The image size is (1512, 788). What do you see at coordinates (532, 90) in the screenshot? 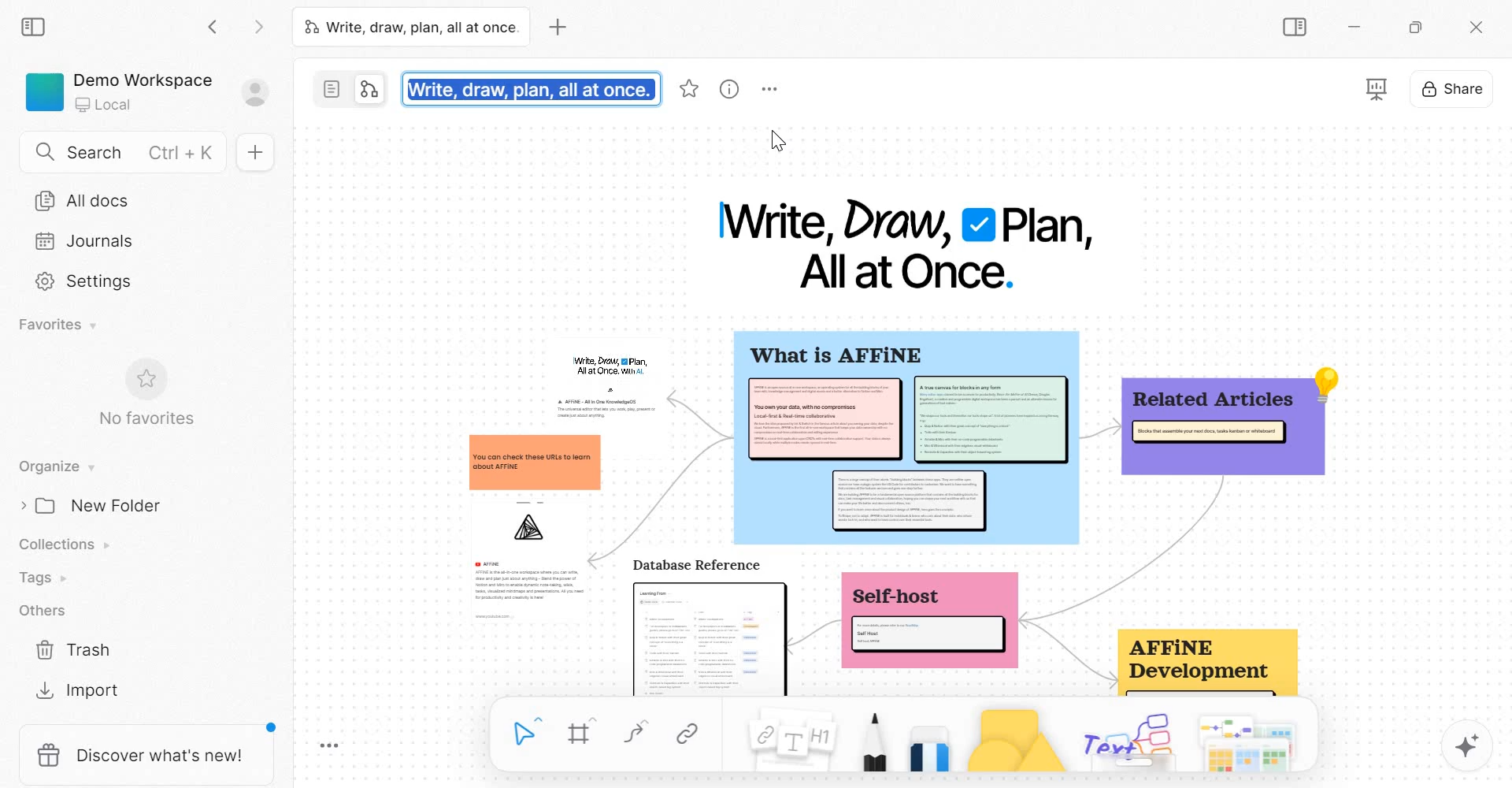
I see `Write, draw, plan, all at once.` at bounding box center [532, 90].